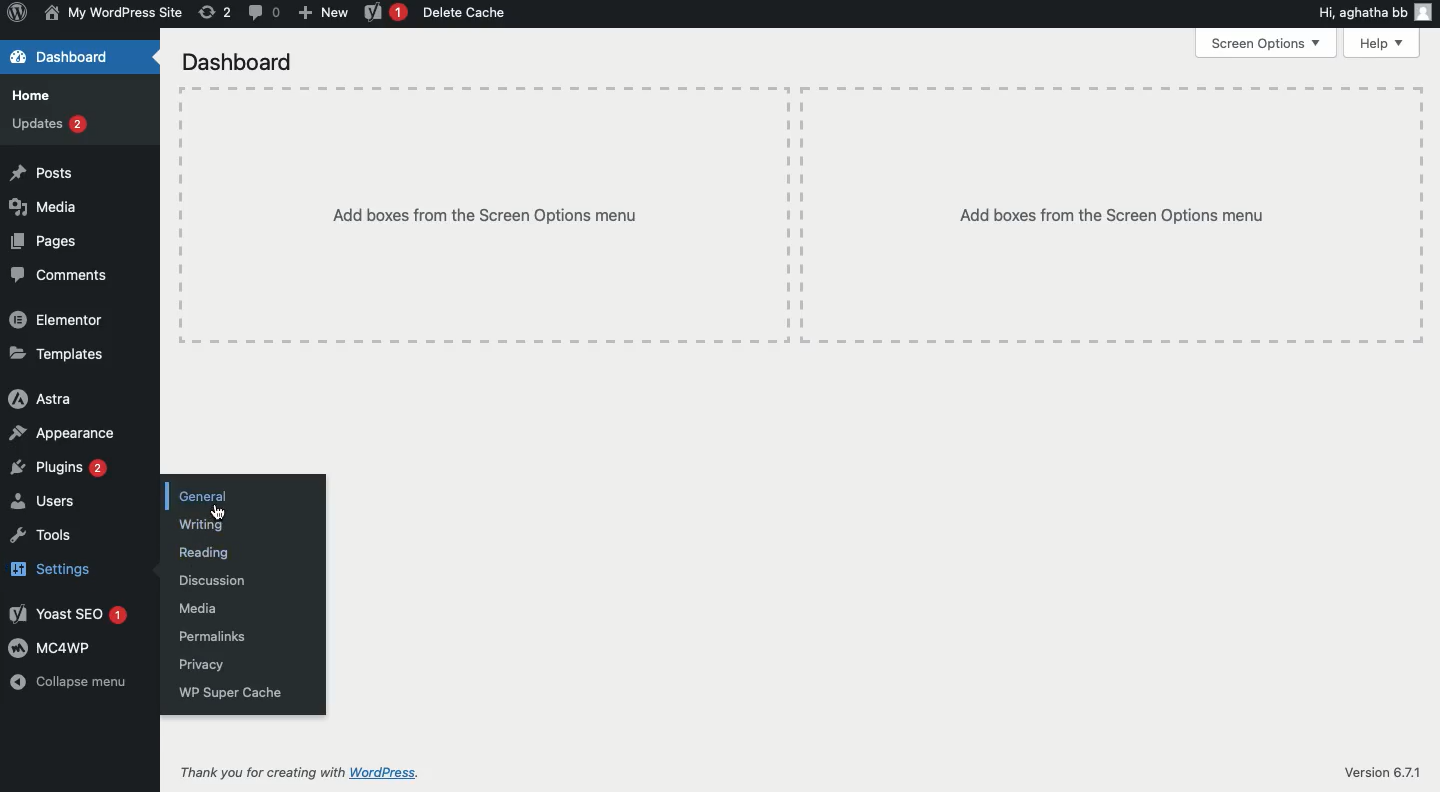 This screenshot has width=1440, height=792. What do you see at coordinates (61, 57) in the screenshot?
I see `Dashboard` at bounding box center [61, 57].